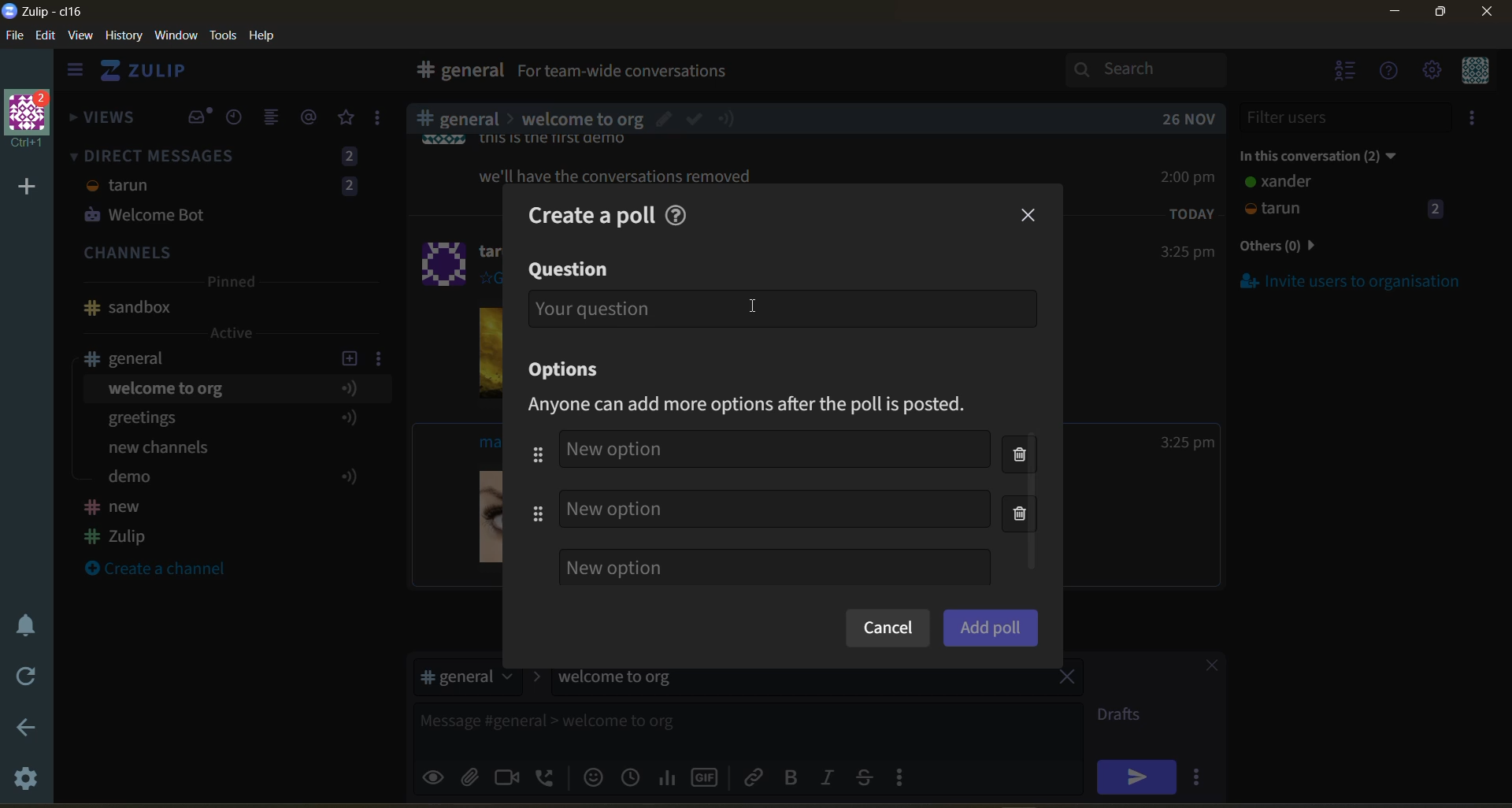 Image resolution: width=1512 pixels, height=808 pixels. What do you see at coordinates (1186, 253) in the screenshot?
I see `3:25 pm` at bounding box center [1186, 253].